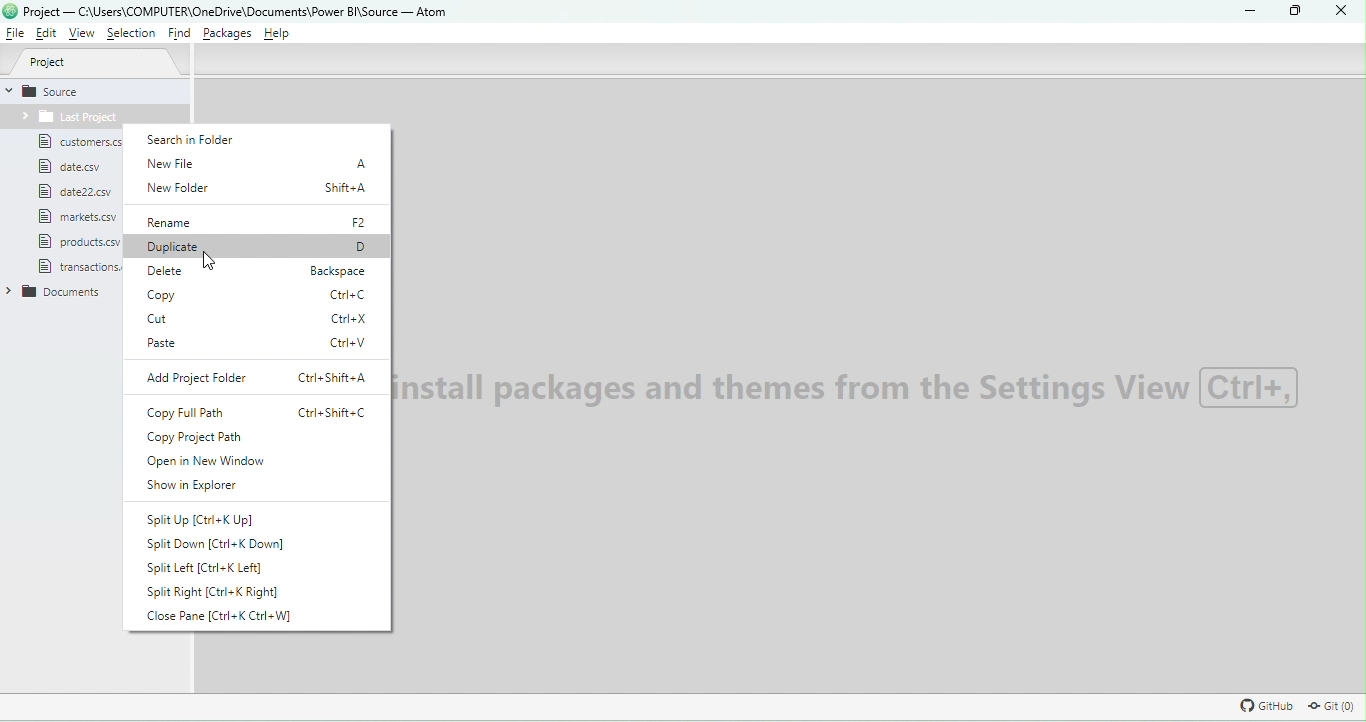  Describe the element at coordinates (250, 461) in the screenshot. I see `Open in new window` at that location.